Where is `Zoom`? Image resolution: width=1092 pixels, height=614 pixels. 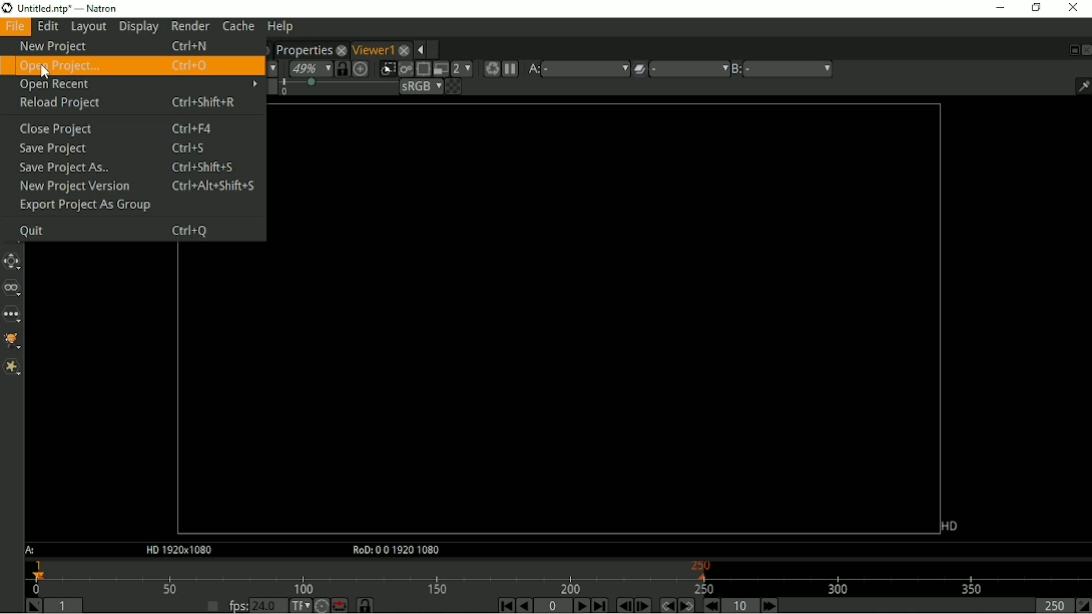 Zoom is located at coordinates (309, 68).